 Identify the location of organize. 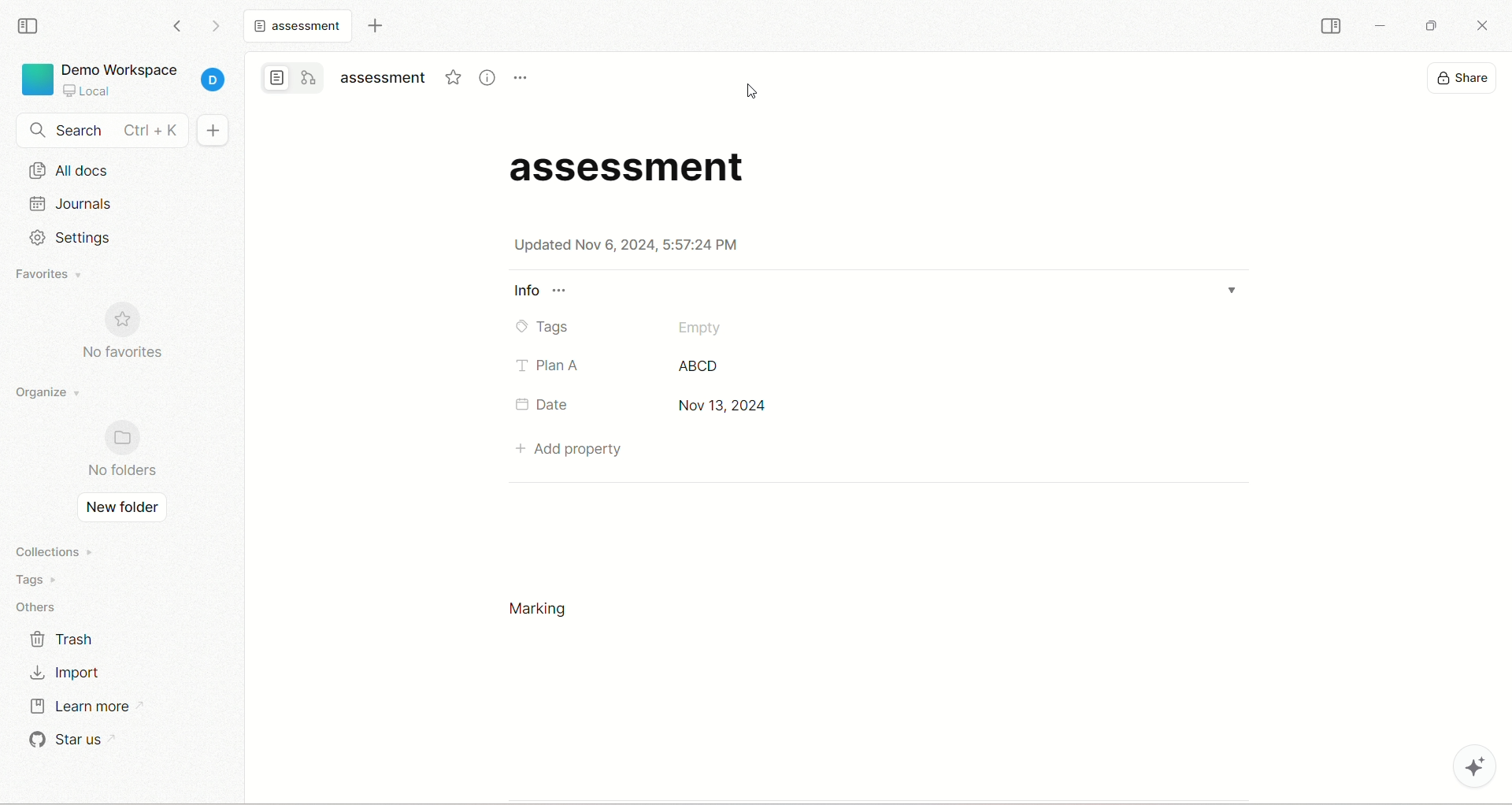
(49, 390).